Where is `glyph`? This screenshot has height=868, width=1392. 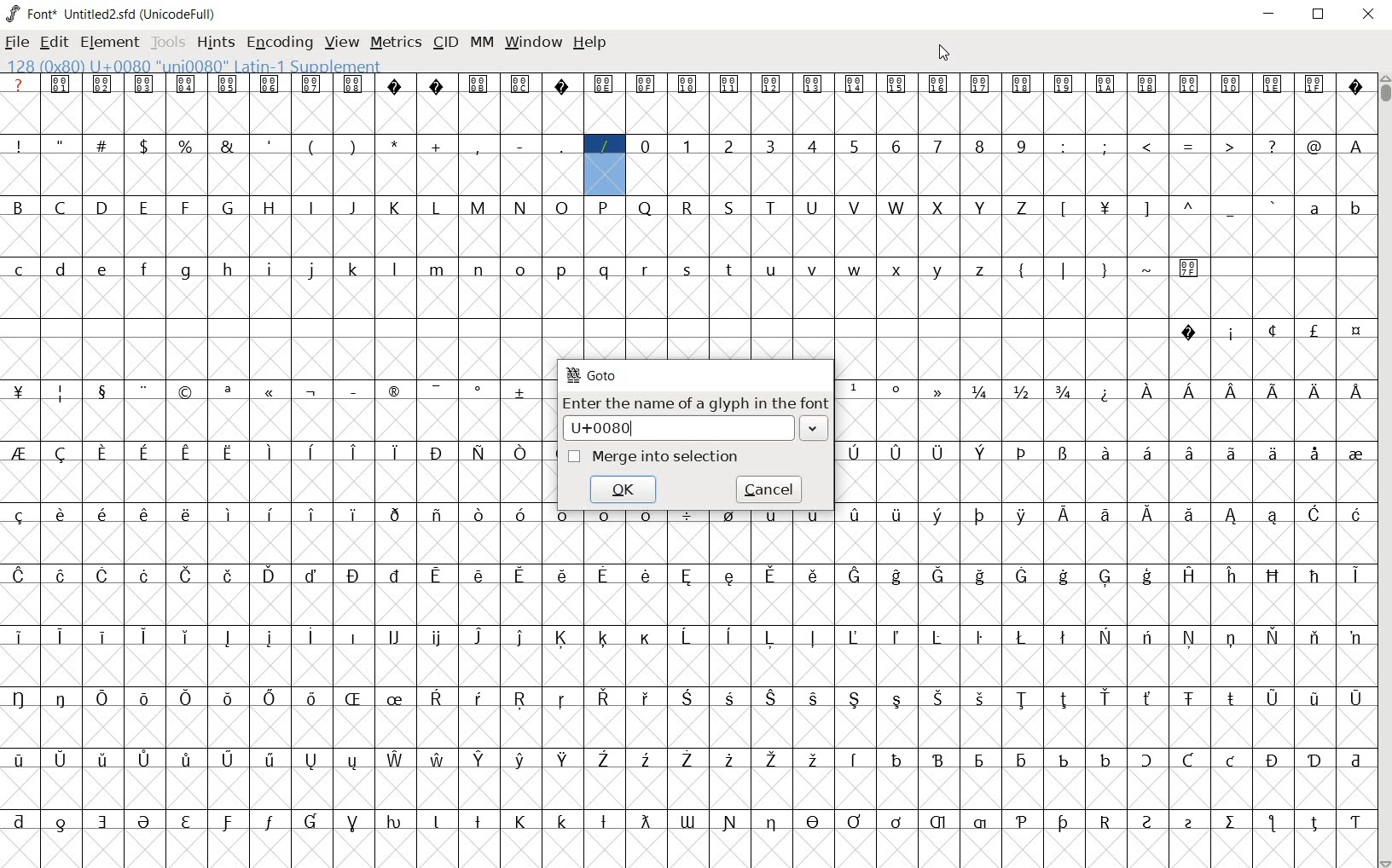
glyph is located at coordinates (1356, 576).